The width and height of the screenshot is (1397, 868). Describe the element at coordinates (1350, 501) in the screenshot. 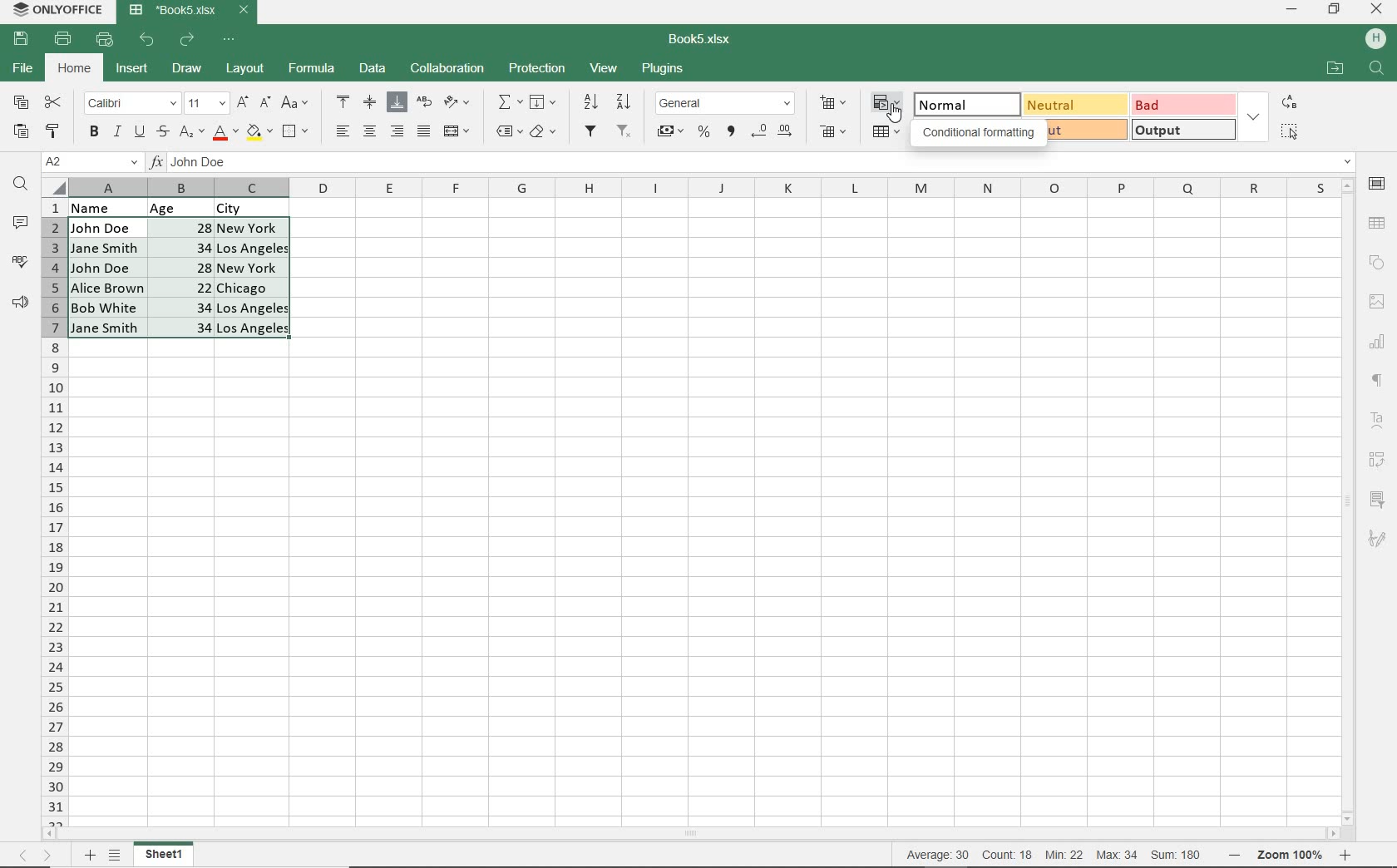

I see `SCROLLBAR` at that location.